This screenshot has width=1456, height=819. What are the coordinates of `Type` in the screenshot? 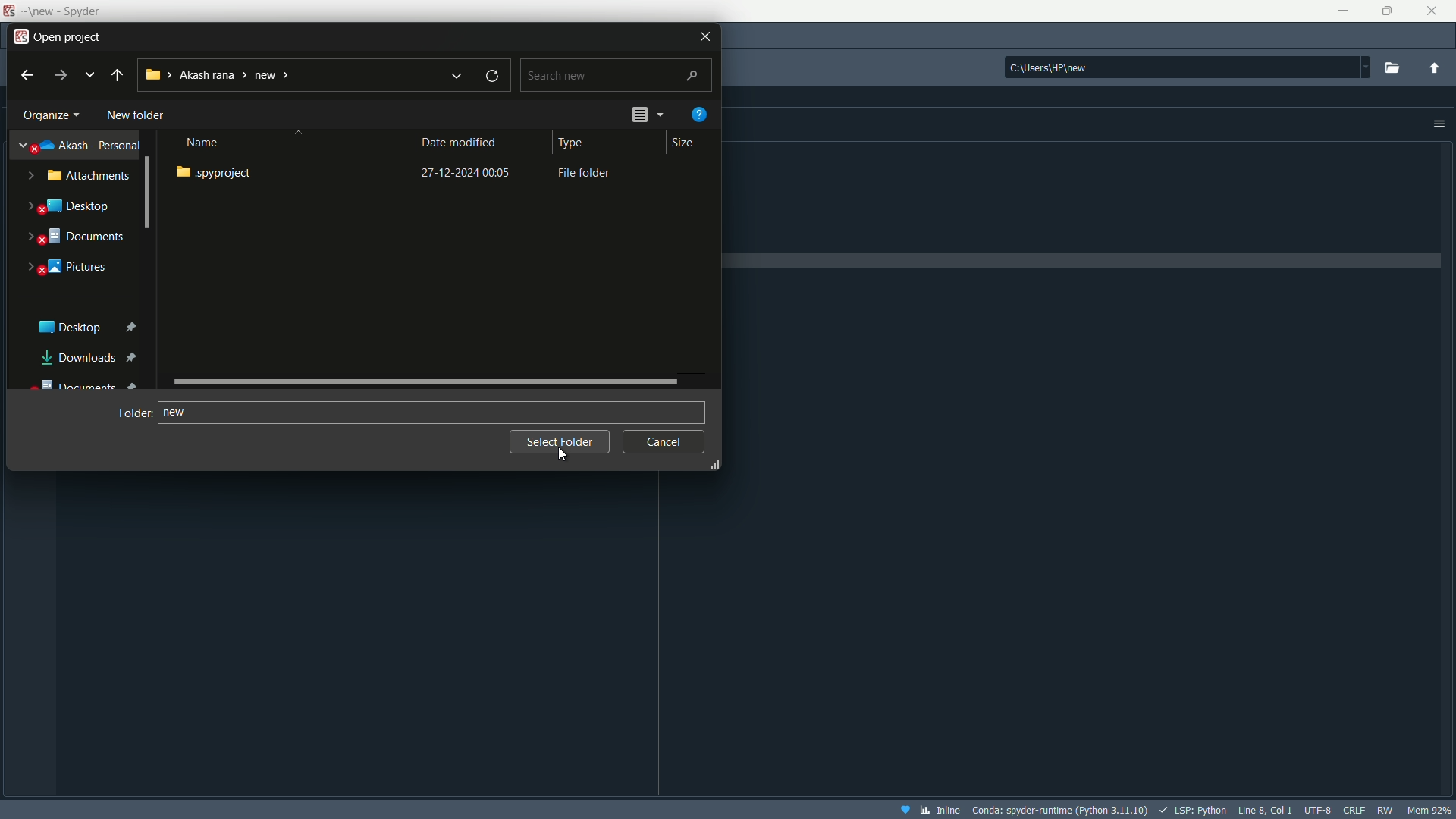 It's located at (575, 145).